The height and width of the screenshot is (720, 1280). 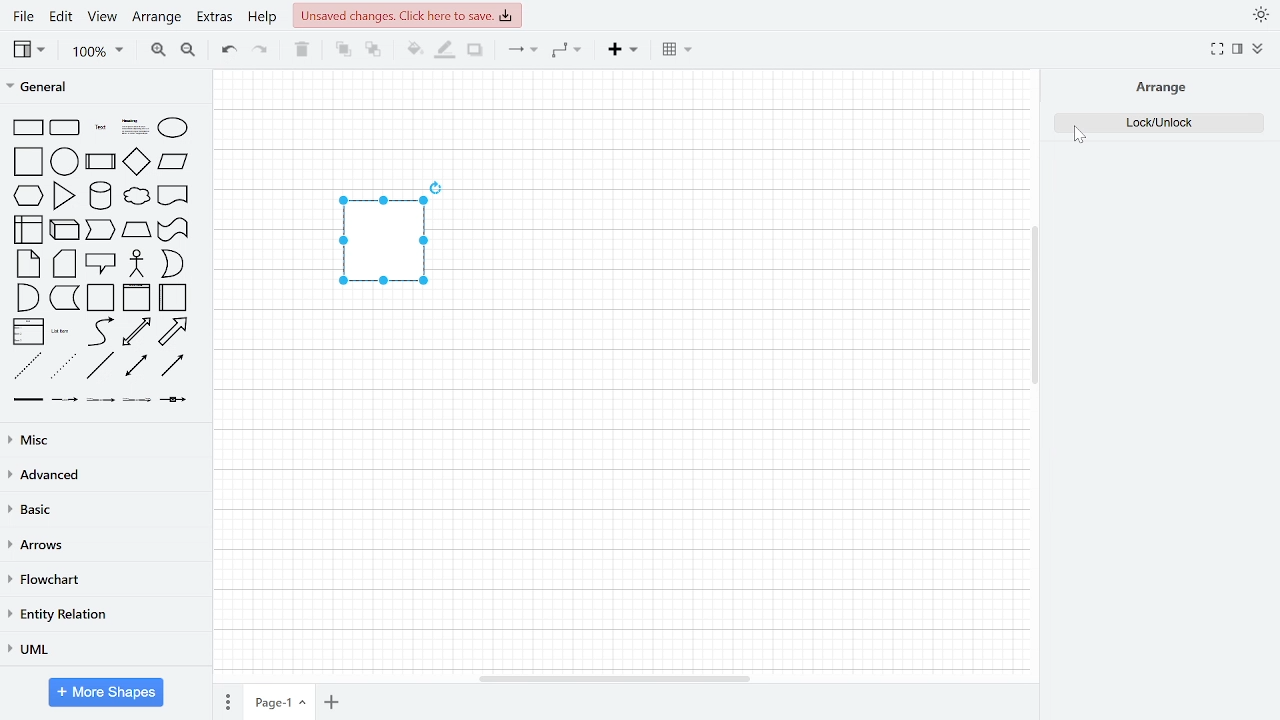 What do you see at coordinates (100, 366) in the screenshot?
I see `line` at bounding box center [100, 366].